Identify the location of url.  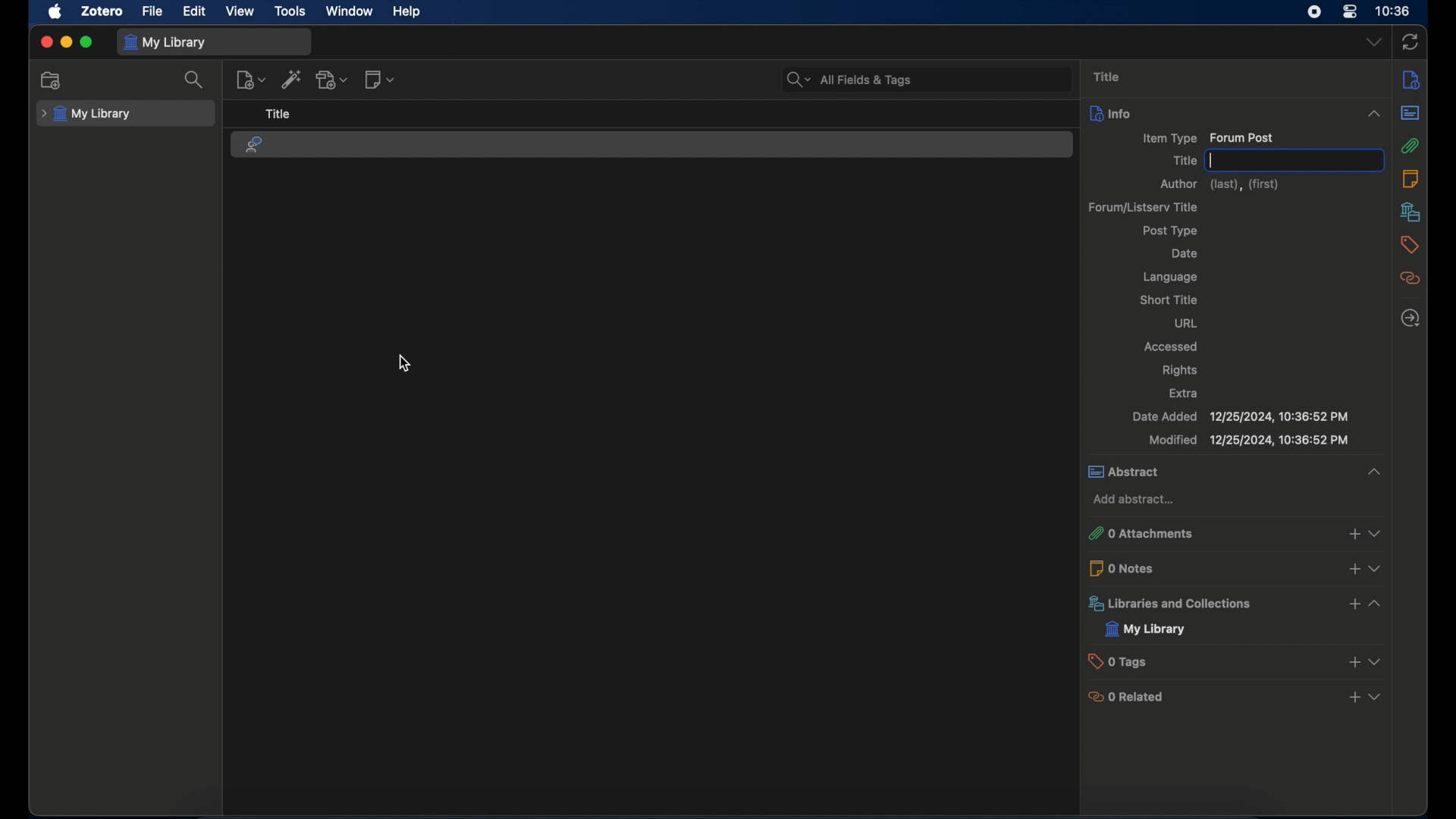
(1186, 322).